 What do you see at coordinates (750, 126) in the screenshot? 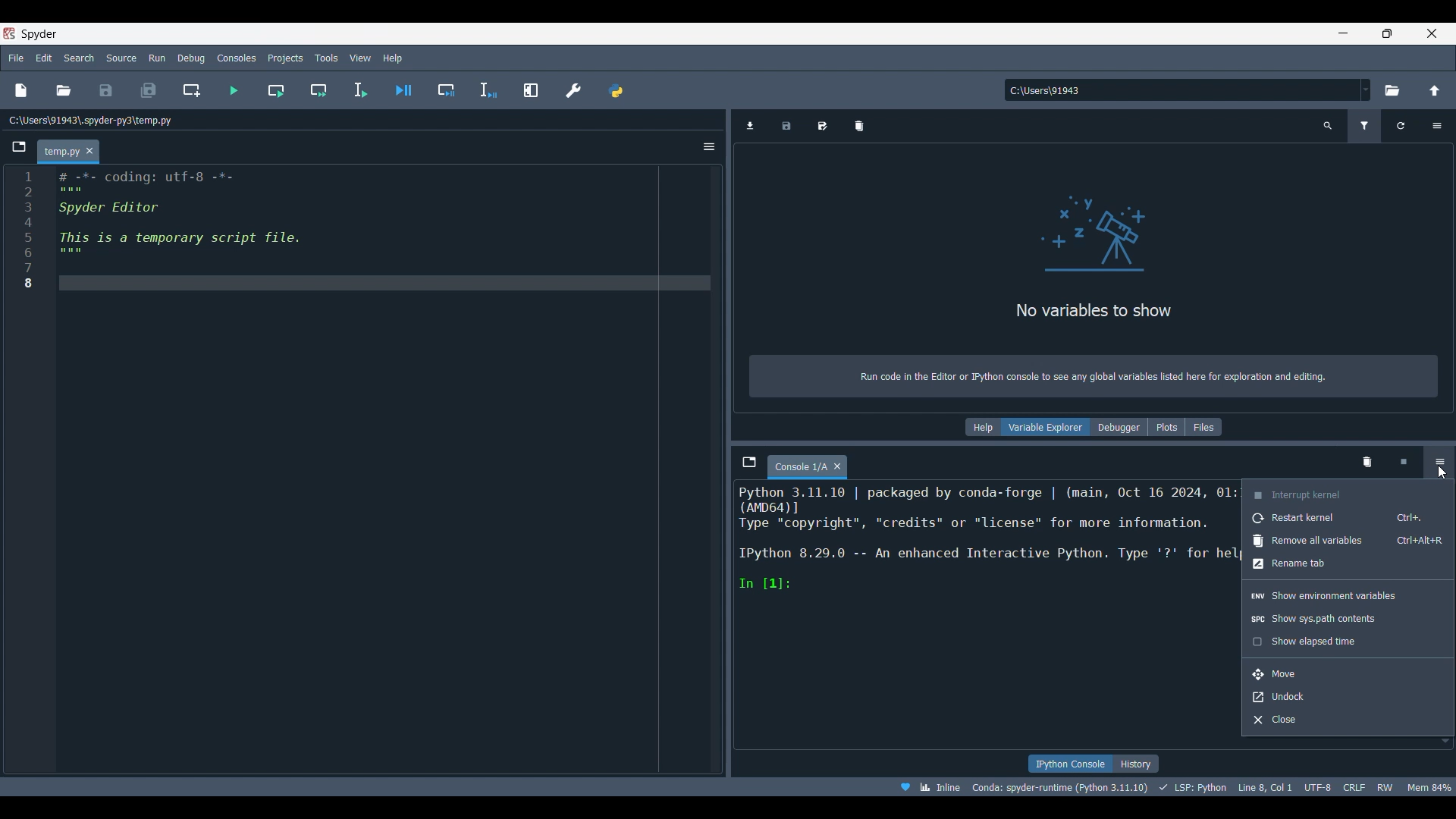
I see `Import data` at bounding box center [750, 126].